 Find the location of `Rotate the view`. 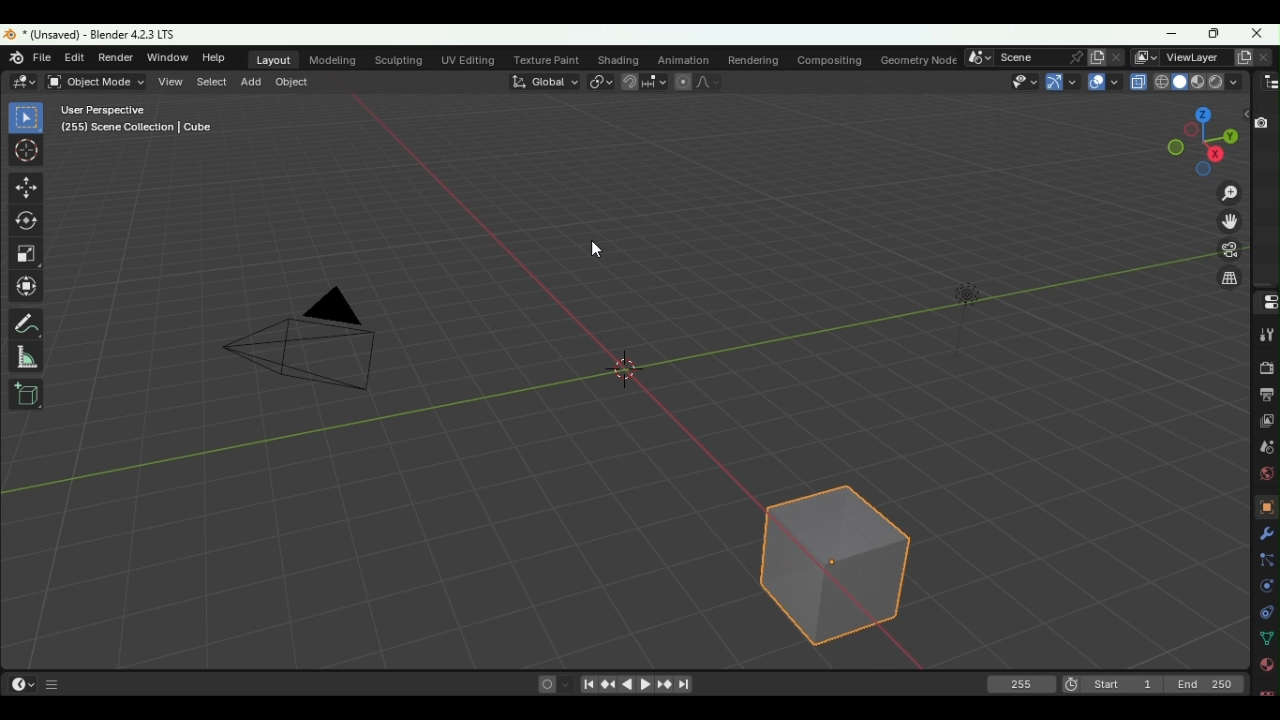

Rotate the view is located at coordinates (1216, 154).